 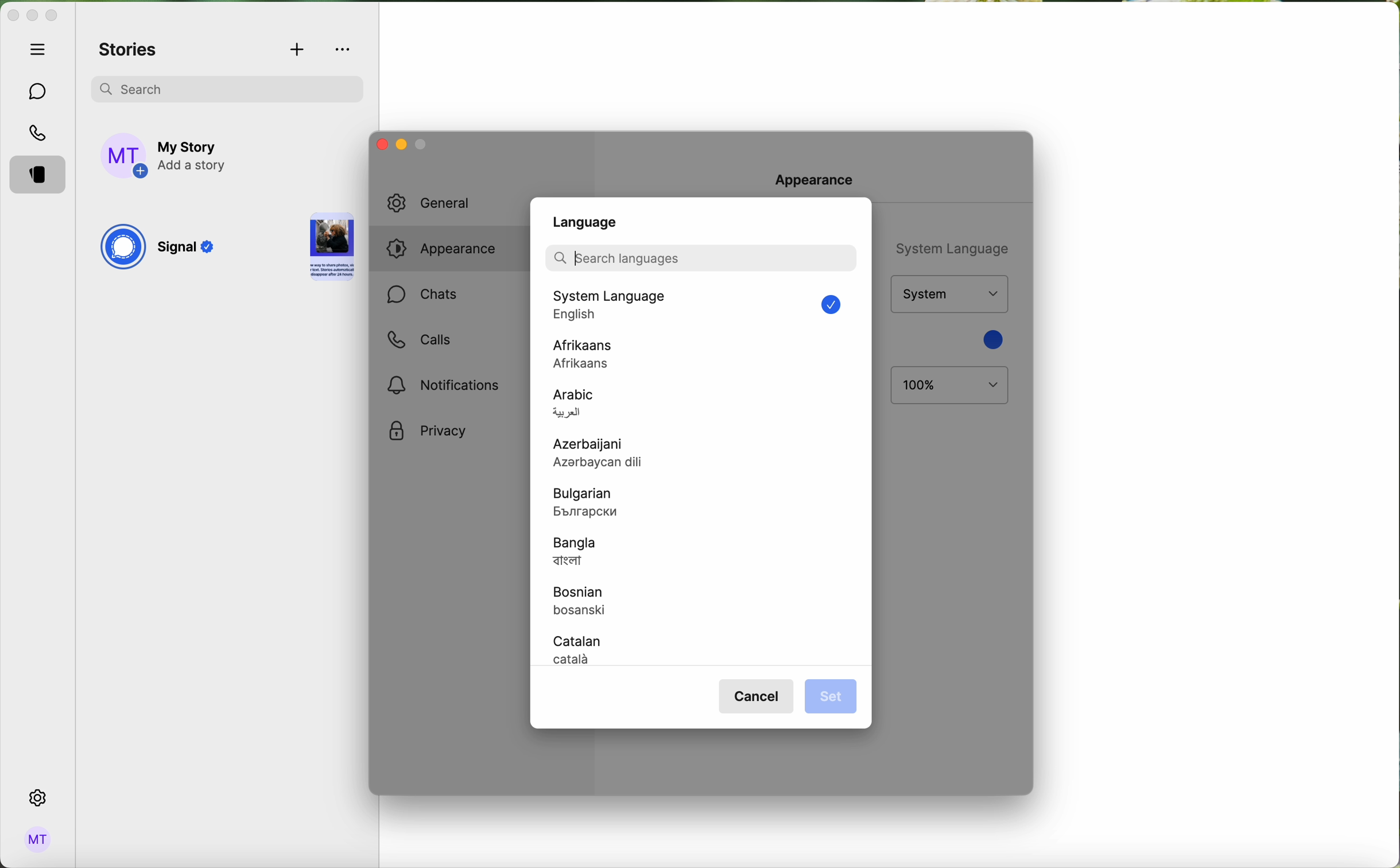 What do you see at coordinates (129, 51) in the screenshot?
I see `stories` at bounding box center [129, 51].